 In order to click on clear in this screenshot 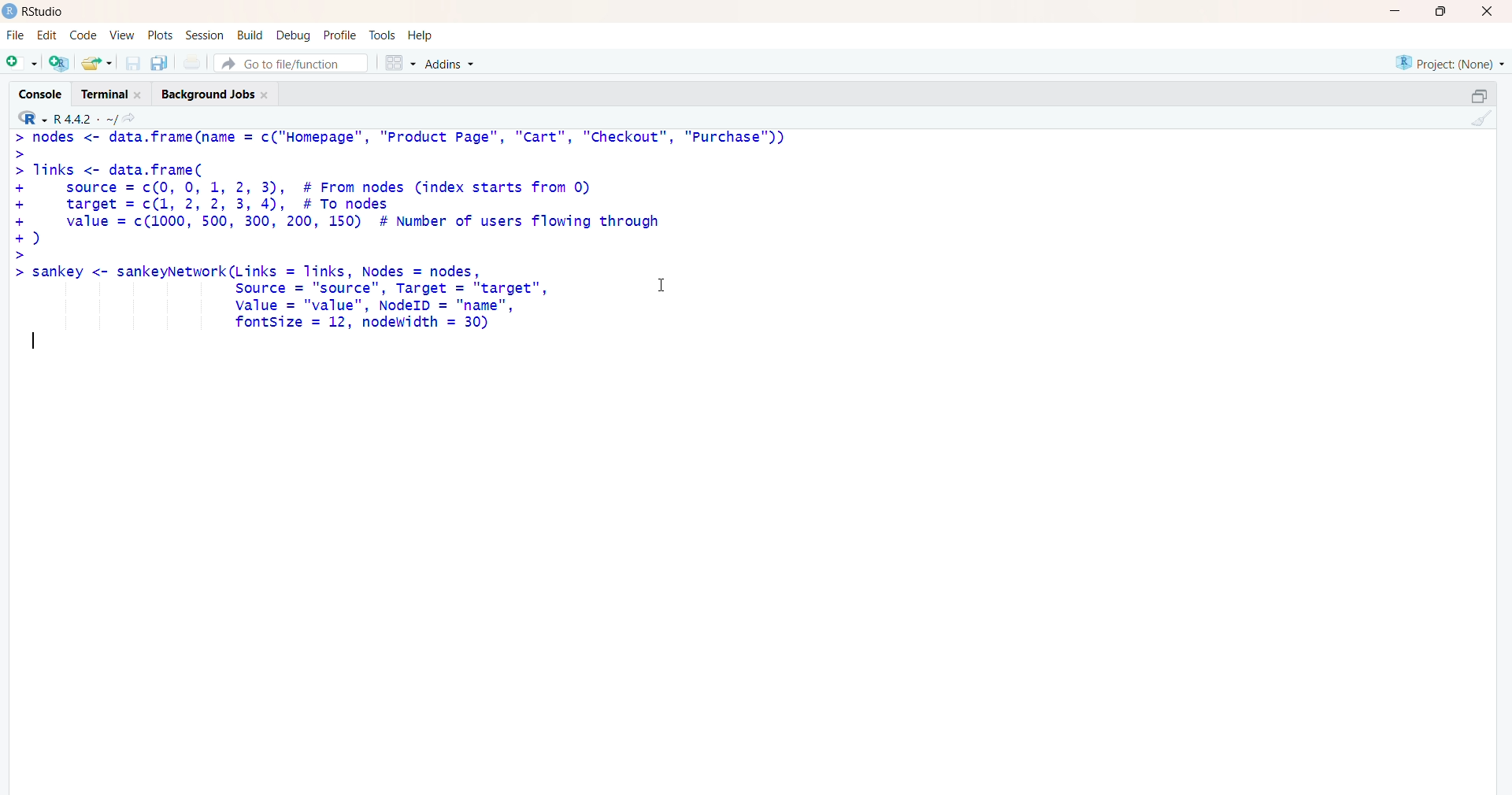, I will do `click(1486, 121)`.